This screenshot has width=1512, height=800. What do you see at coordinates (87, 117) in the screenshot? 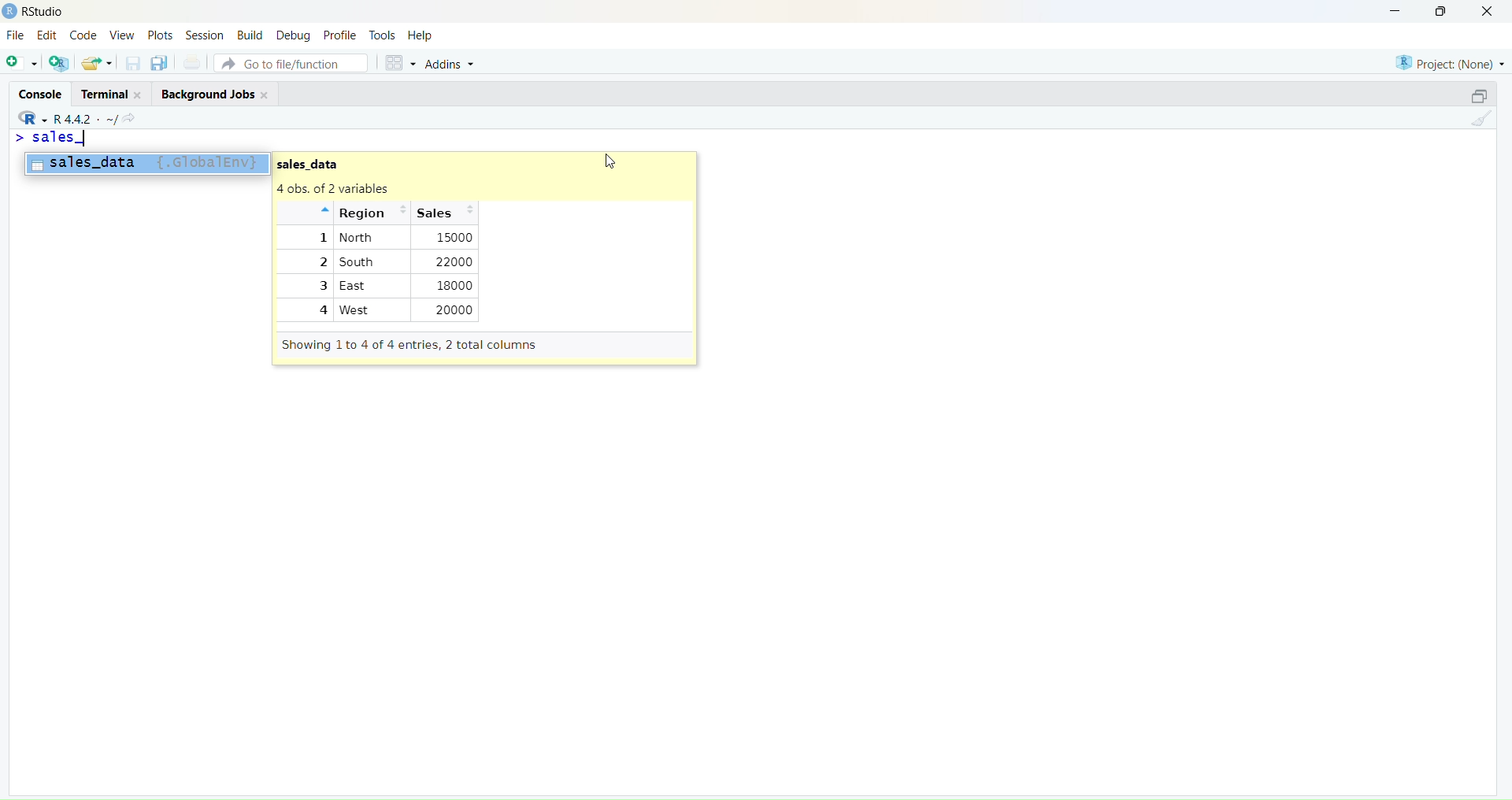
I see `- R442 - ~/` at bounding box center [87, 117].